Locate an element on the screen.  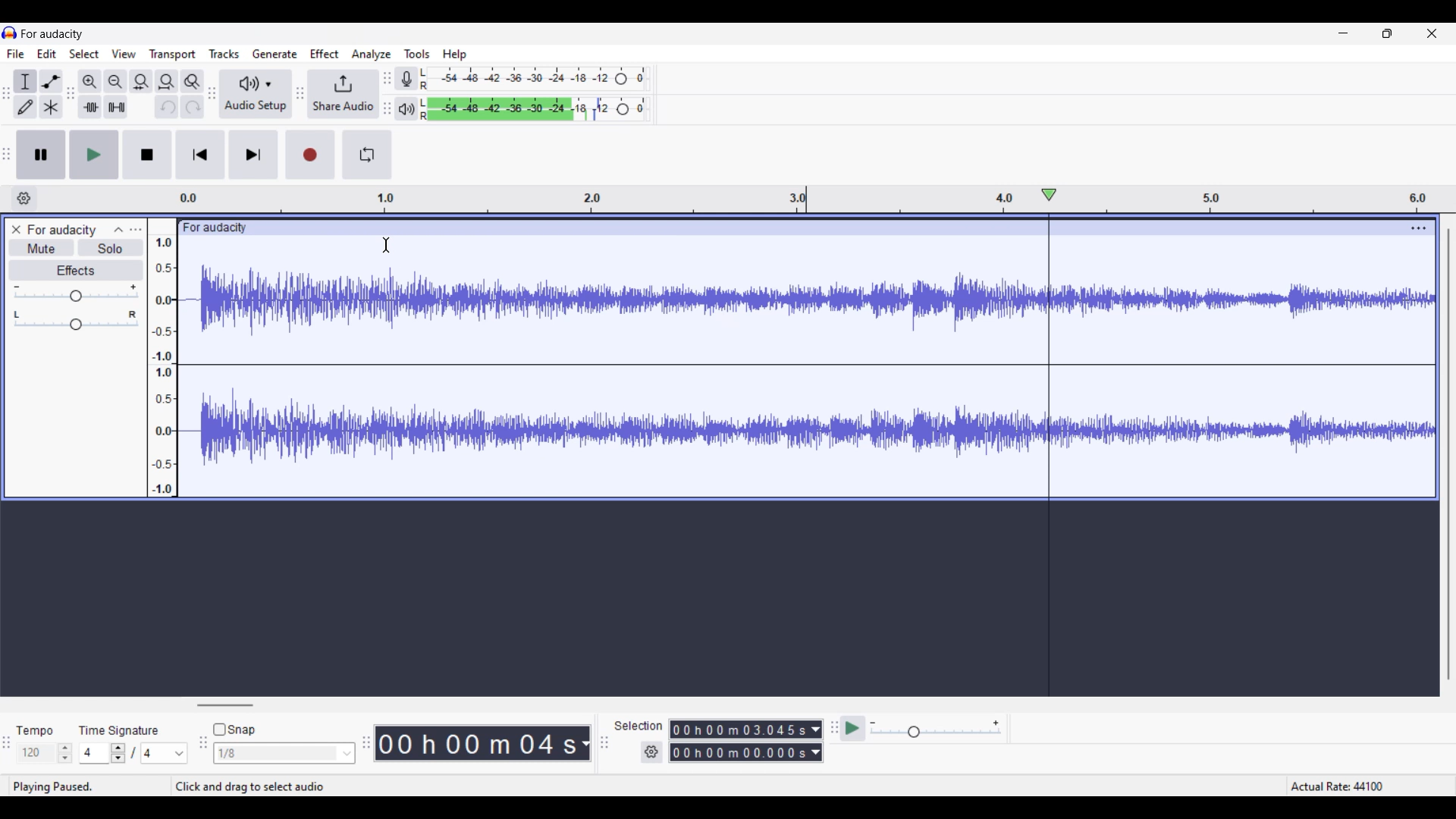
Playback speed scale is located at coordinates (935, 729).